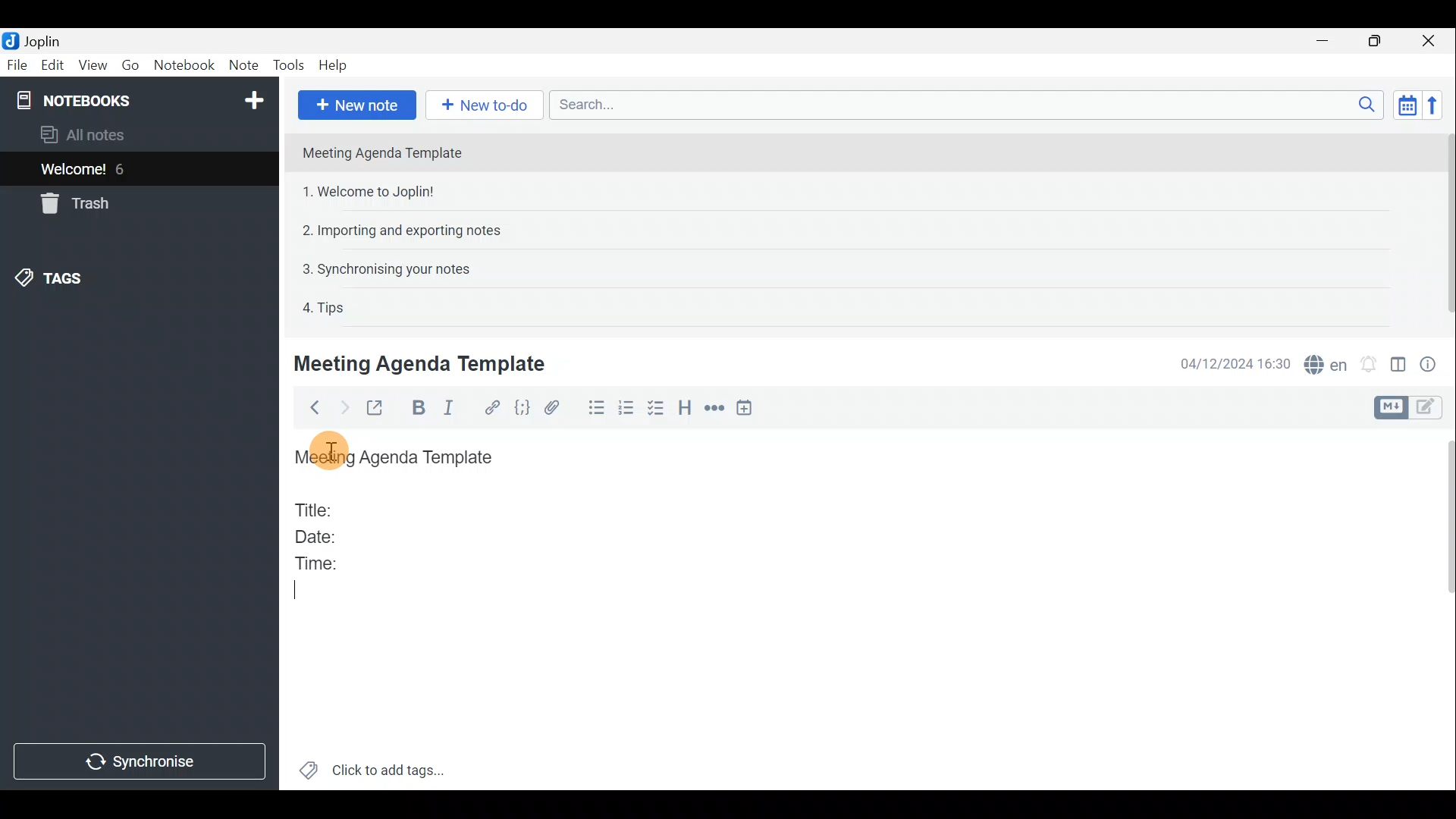 Image resolution: width=1456 pixels, height=819 pixels. Describe the element at coordinates (297, 591) in the screenshot. I see `Cursor` at that location.